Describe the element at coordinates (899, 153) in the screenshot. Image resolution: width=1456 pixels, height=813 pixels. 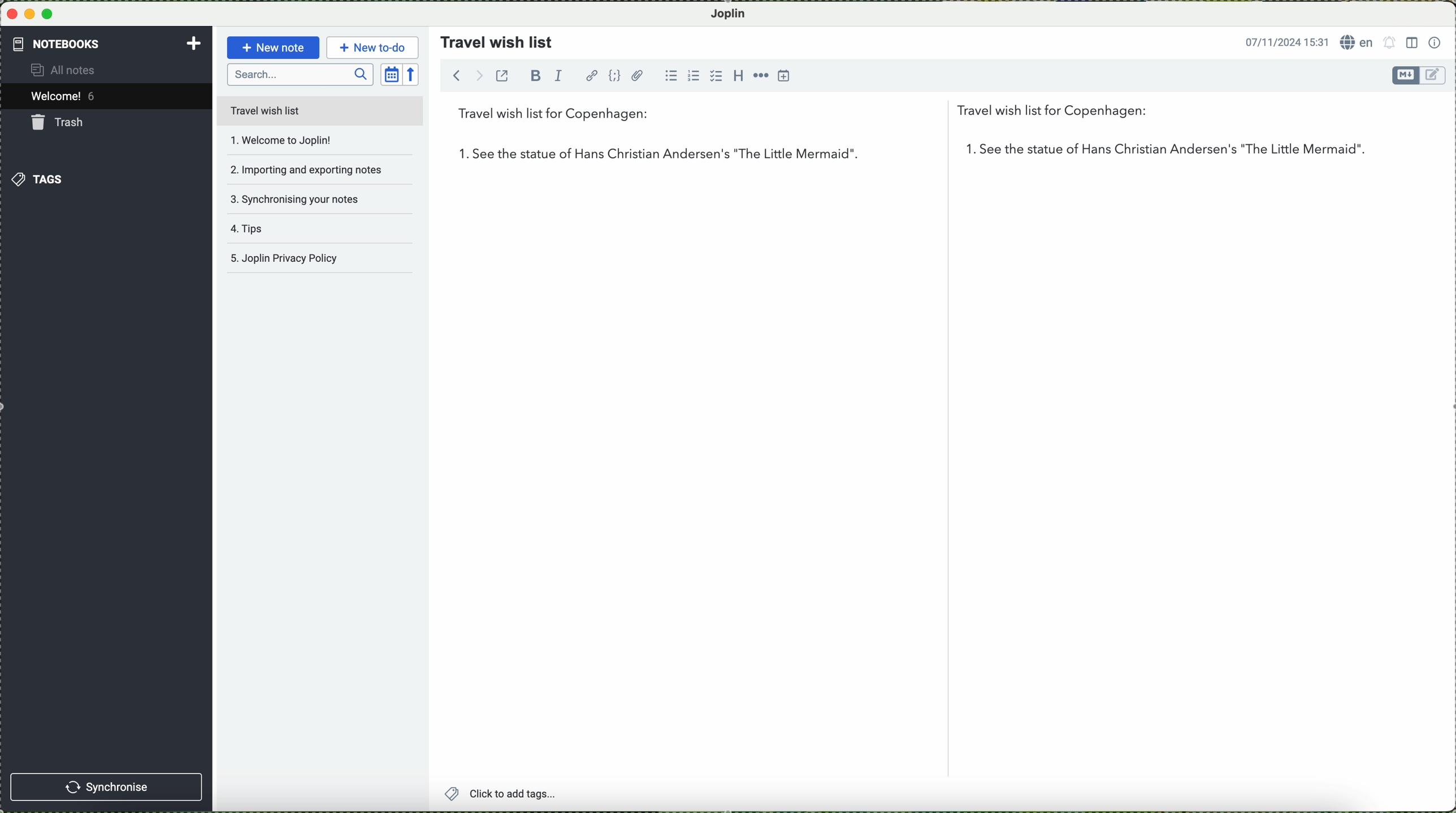
I see `first point` at that location.